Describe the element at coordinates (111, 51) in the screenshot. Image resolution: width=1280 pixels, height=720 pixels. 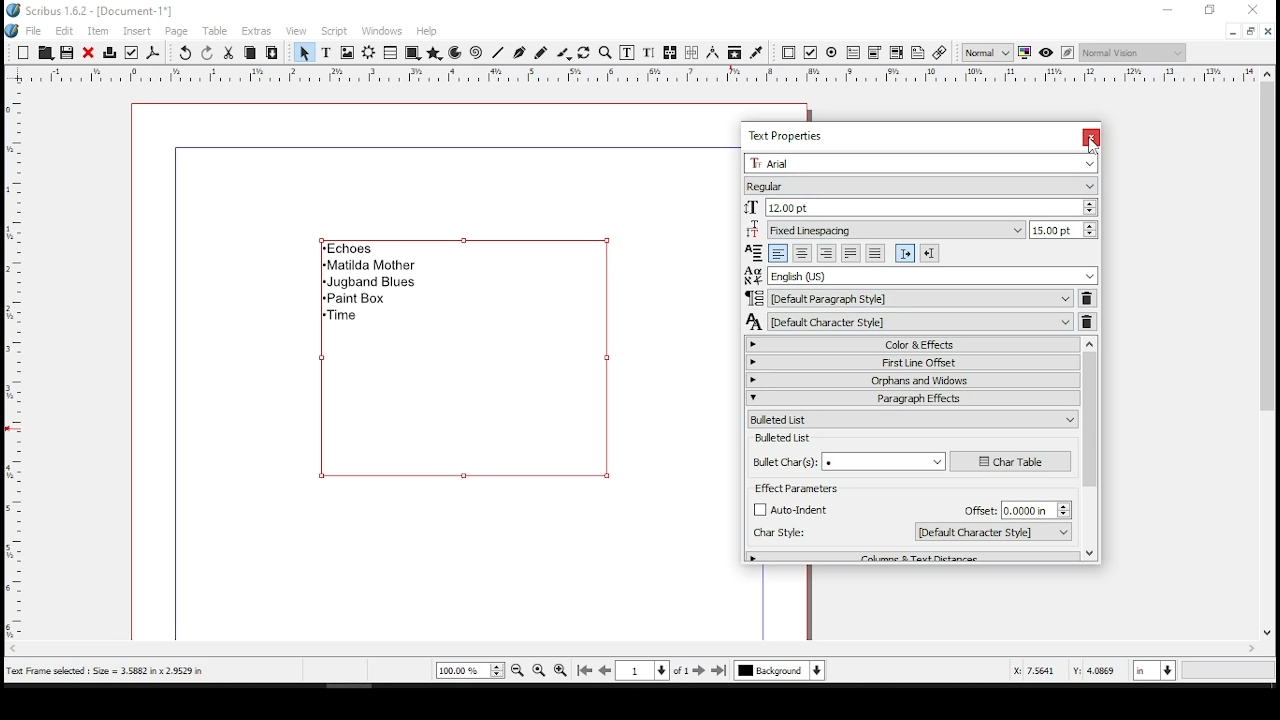
I see `print` at that location.